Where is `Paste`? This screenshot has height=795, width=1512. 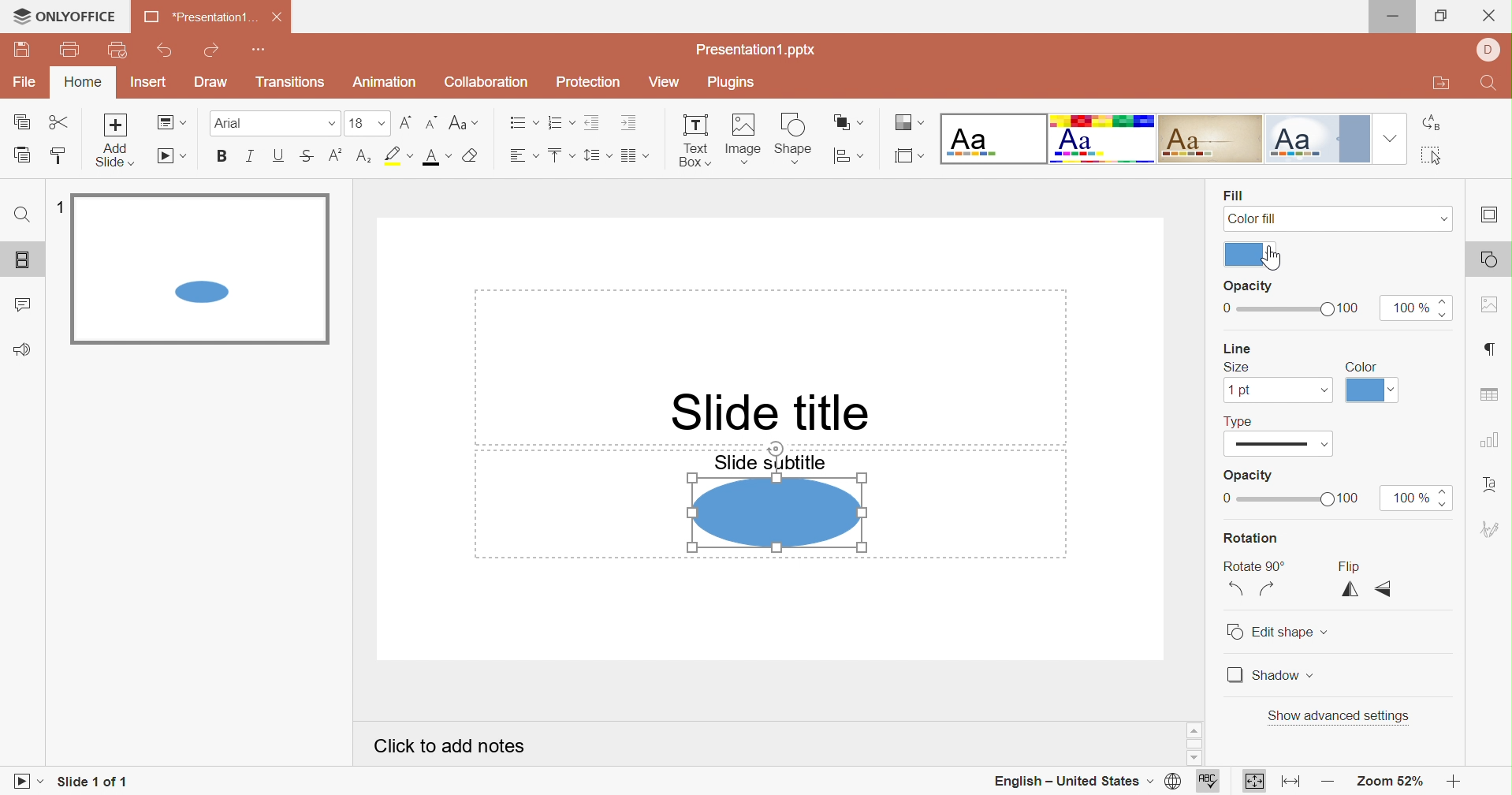
Paste is located at coordinates (26, 156).